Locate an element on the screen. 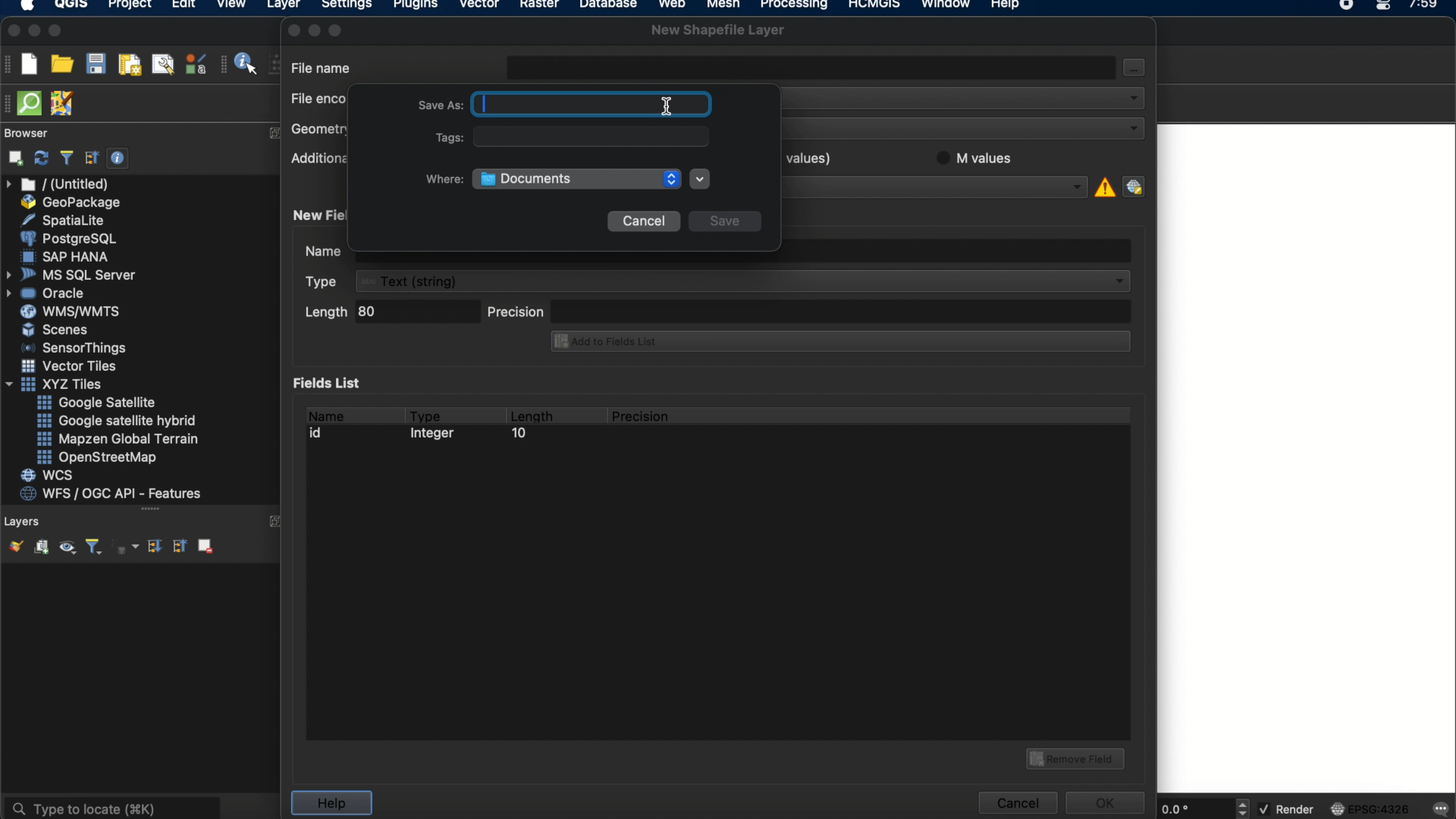 The height and width of the screenshot is (819, 1456). save as textbox is located at coordinates (597, 105).